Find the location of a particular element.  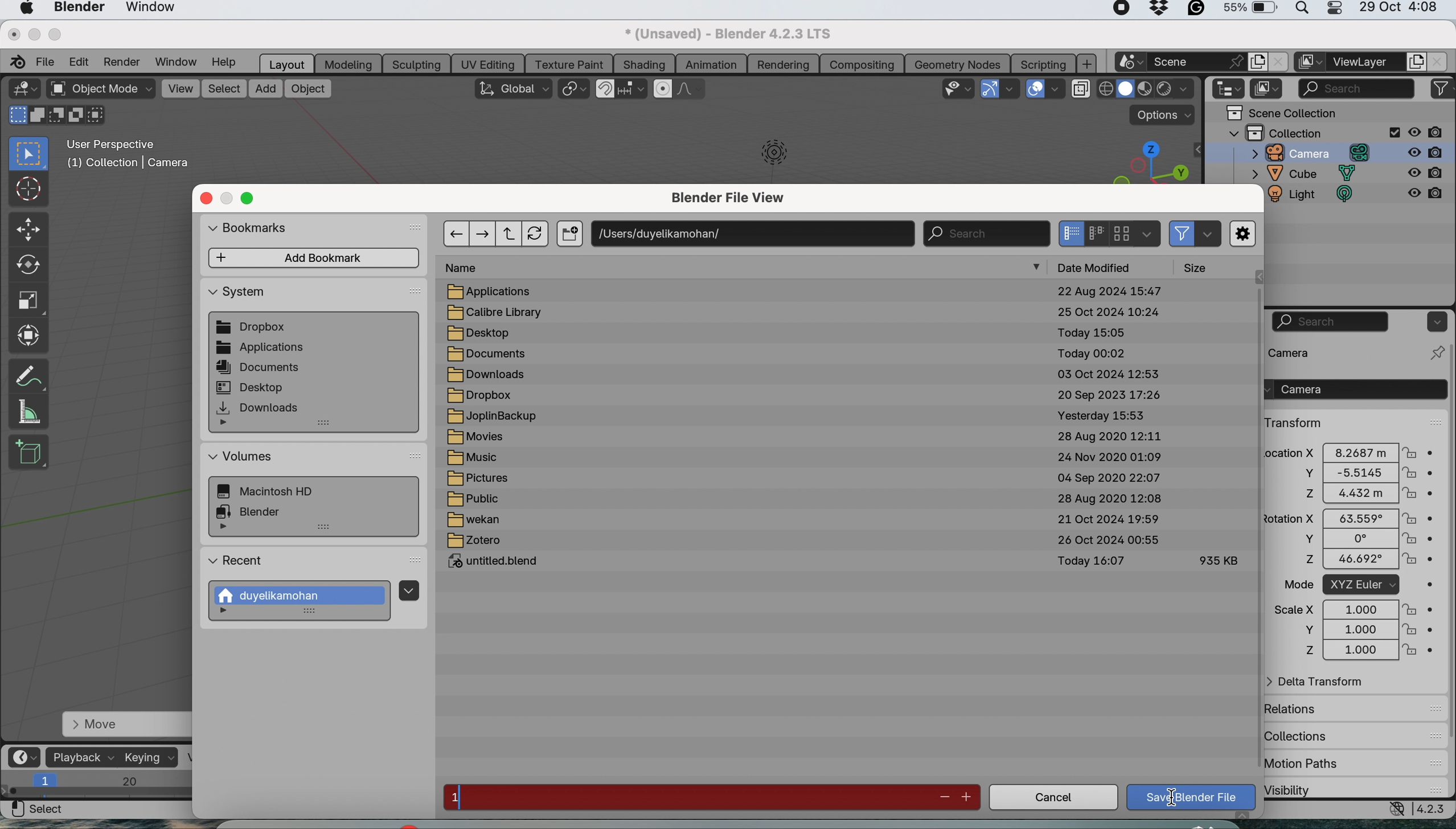

screen recorder is located at coordinates (1117, 10).